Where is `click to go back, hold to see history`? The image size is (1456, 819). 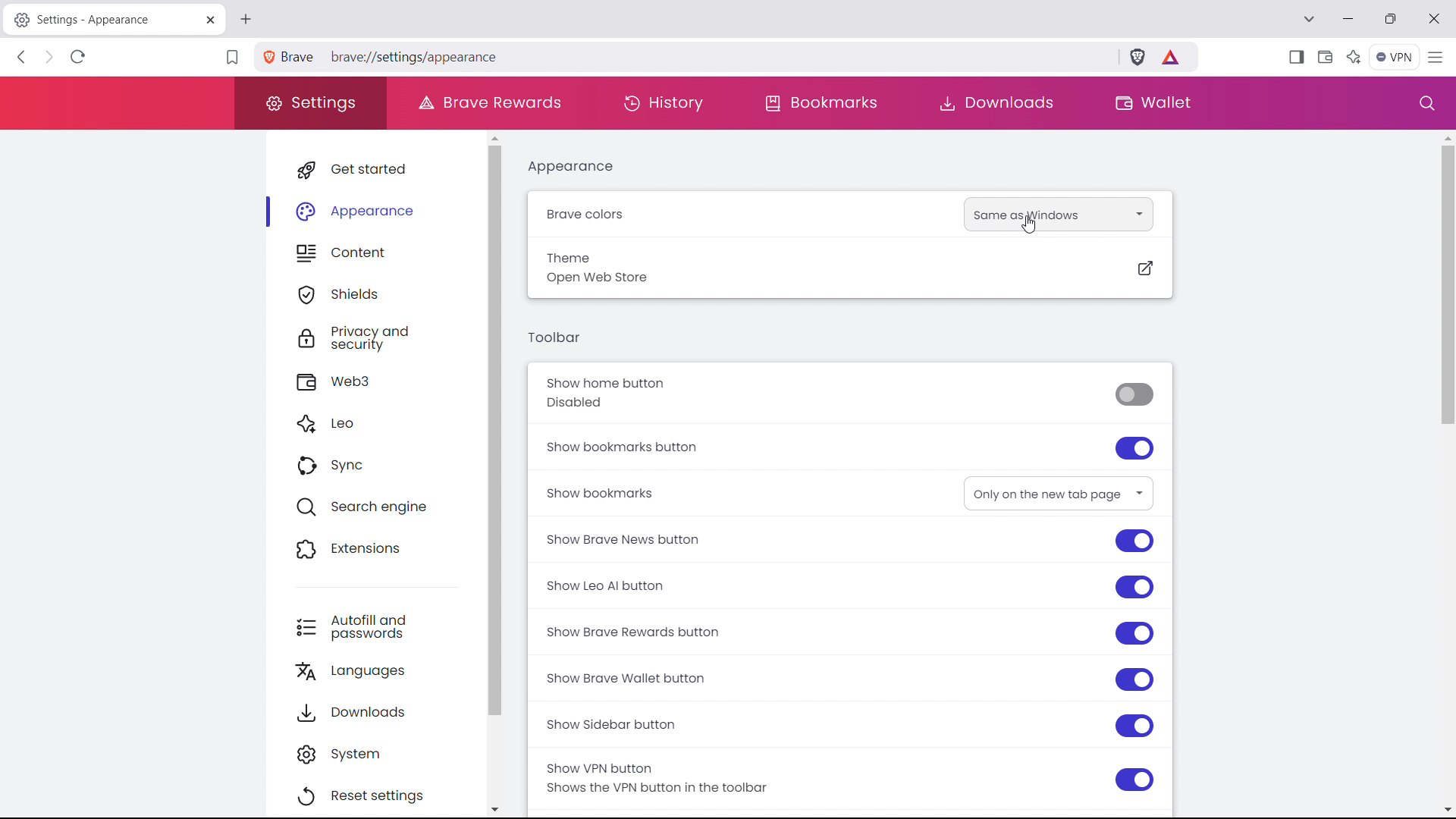 click to go back, hold to see history is located at coordinates (21, 56).